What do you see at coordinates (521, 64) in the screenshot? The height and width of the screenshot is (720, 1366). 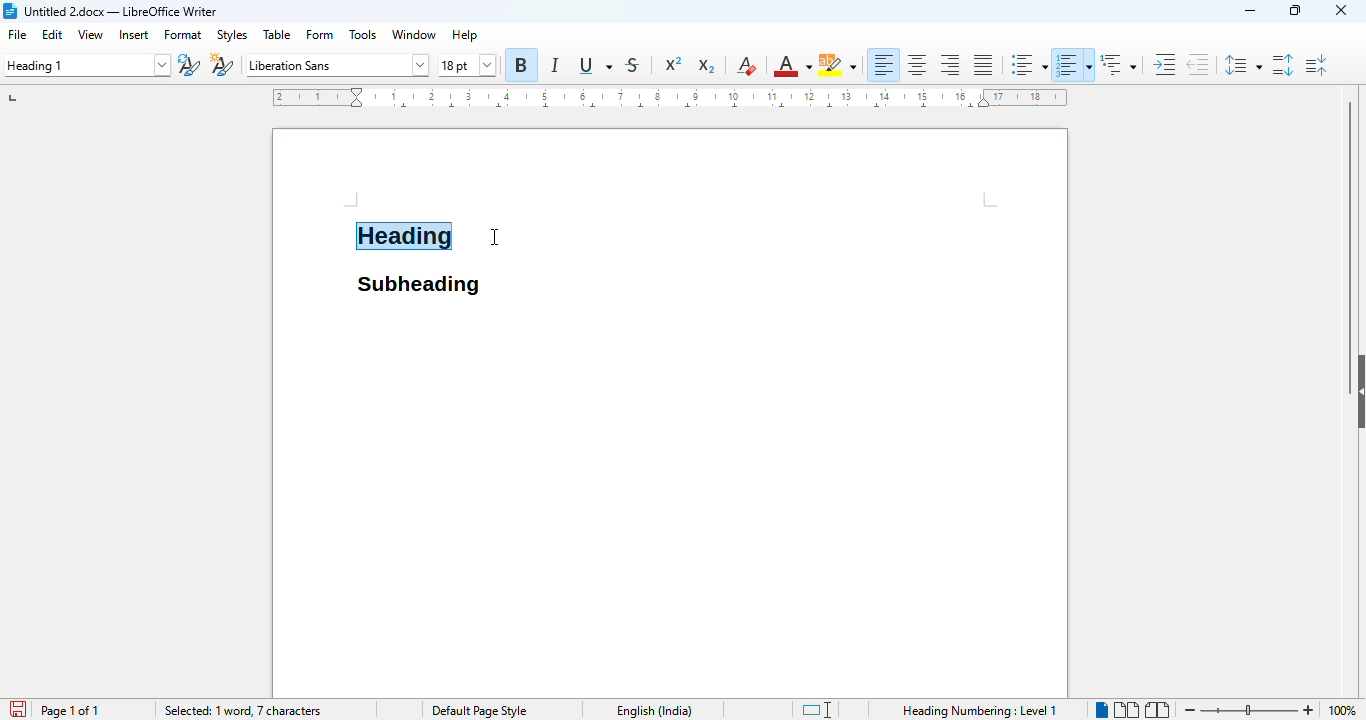 I see `Bold selected` at bounding box center [521, 64].